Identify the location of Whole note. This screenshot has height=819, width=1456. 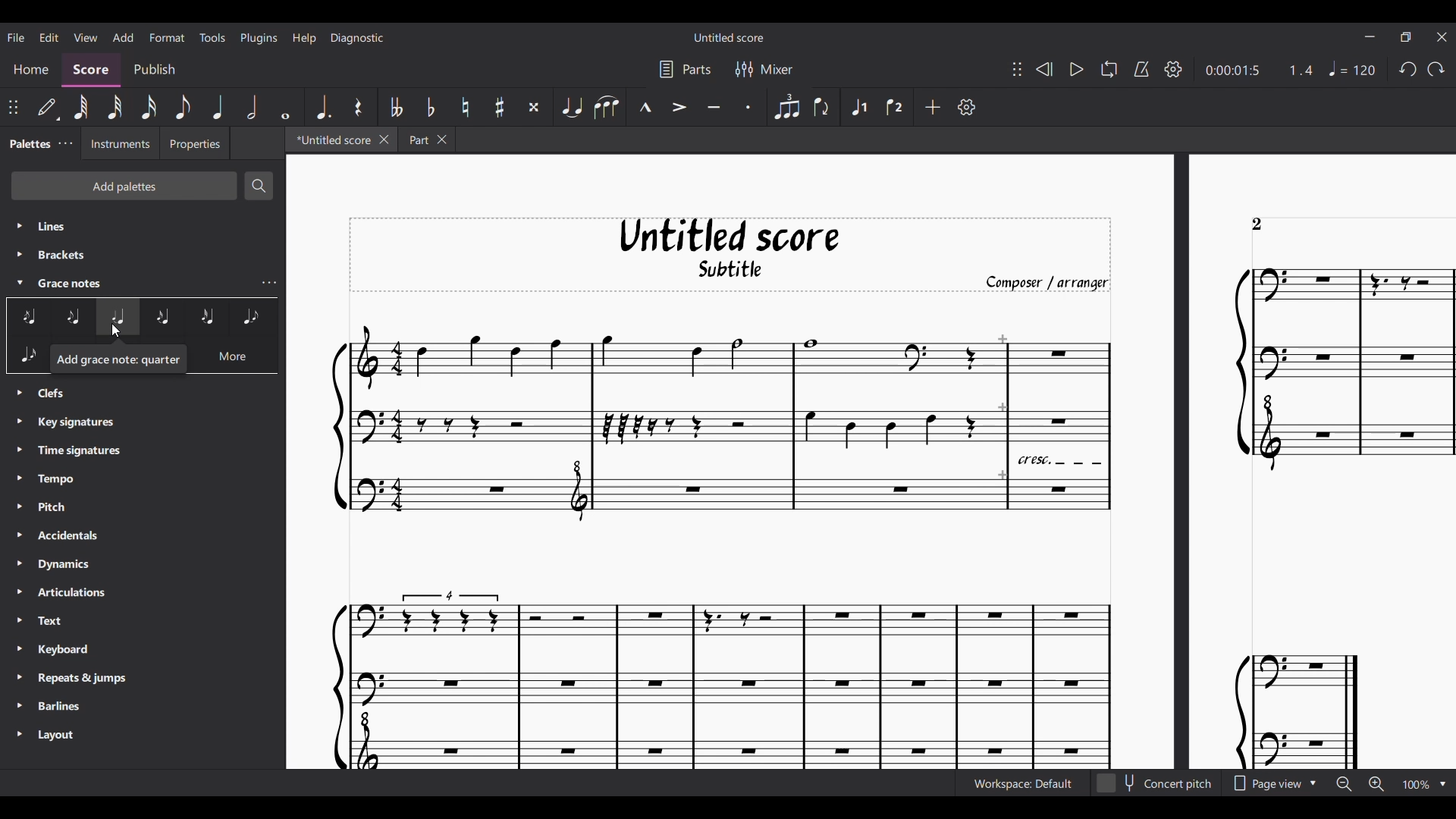
(285, 107).